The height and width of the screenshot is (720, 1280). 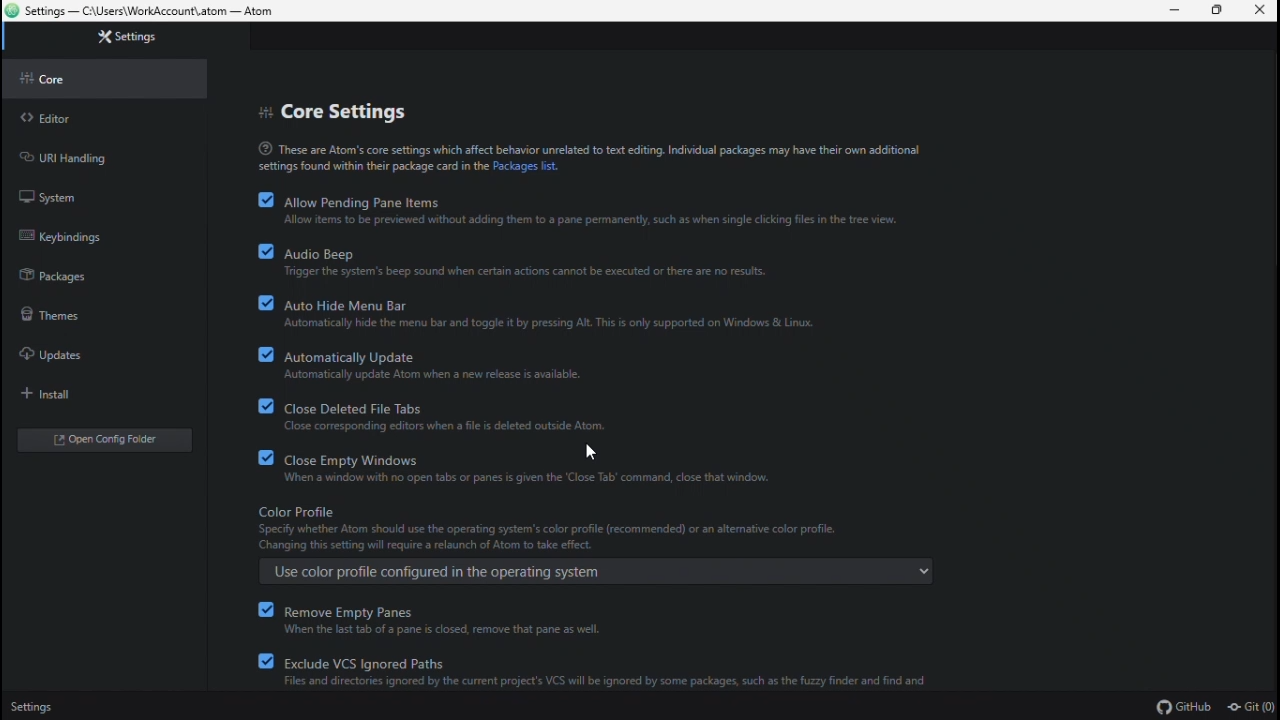 What do you see at coordinates (458, 620) in the screenshot?
I see `remove empty panes` at bounding box center [458, 620].